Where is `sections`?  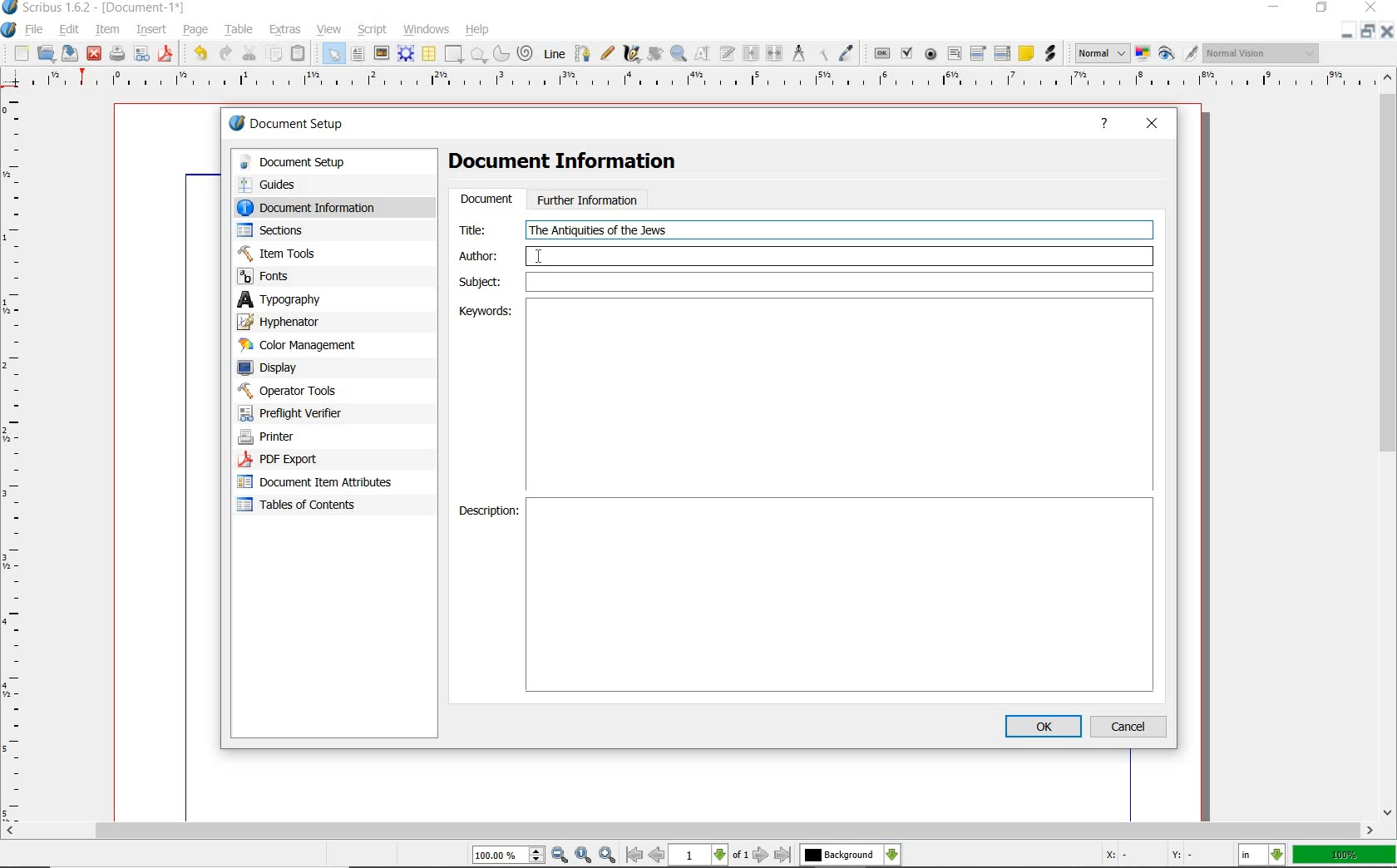 sections is located at coordinates (307, 230).